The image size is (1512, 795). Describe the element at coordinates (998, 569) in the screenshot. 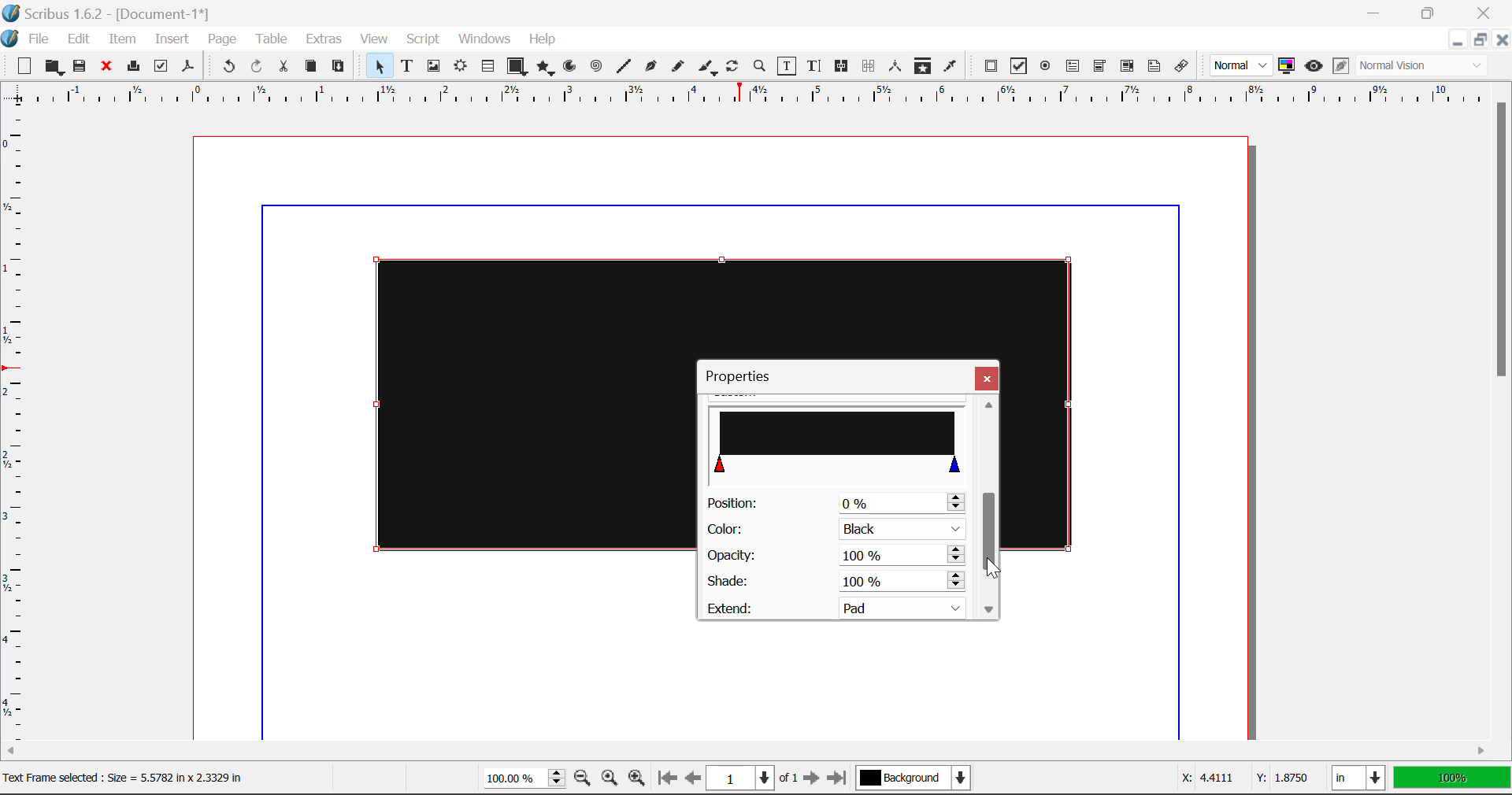

I see `DRAG_TO Cursor Position` at that location.